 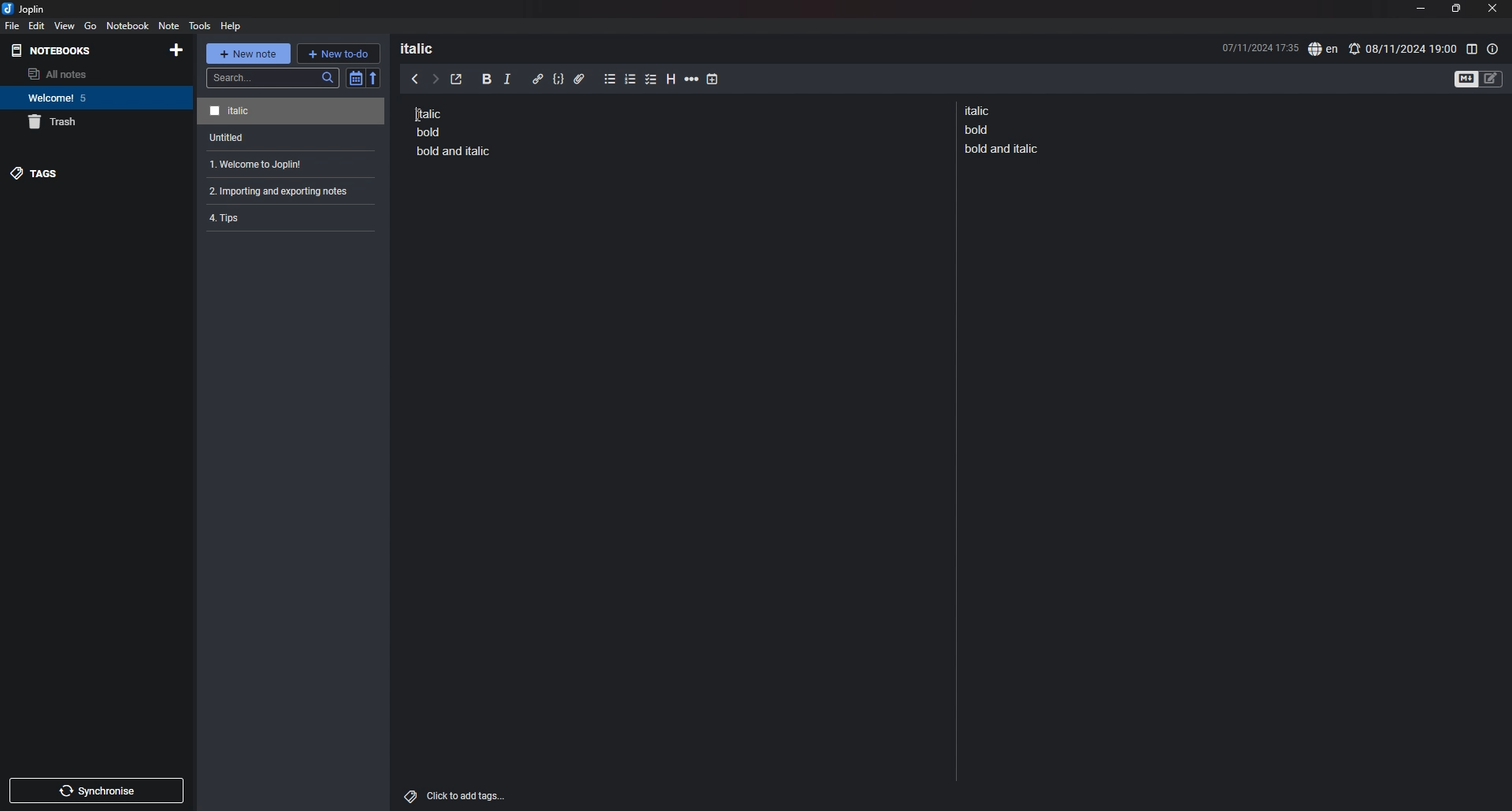 What do you see at coordinates (1005, 129) in the screenshot?
I see `note` at bounding box center [1005, 129].